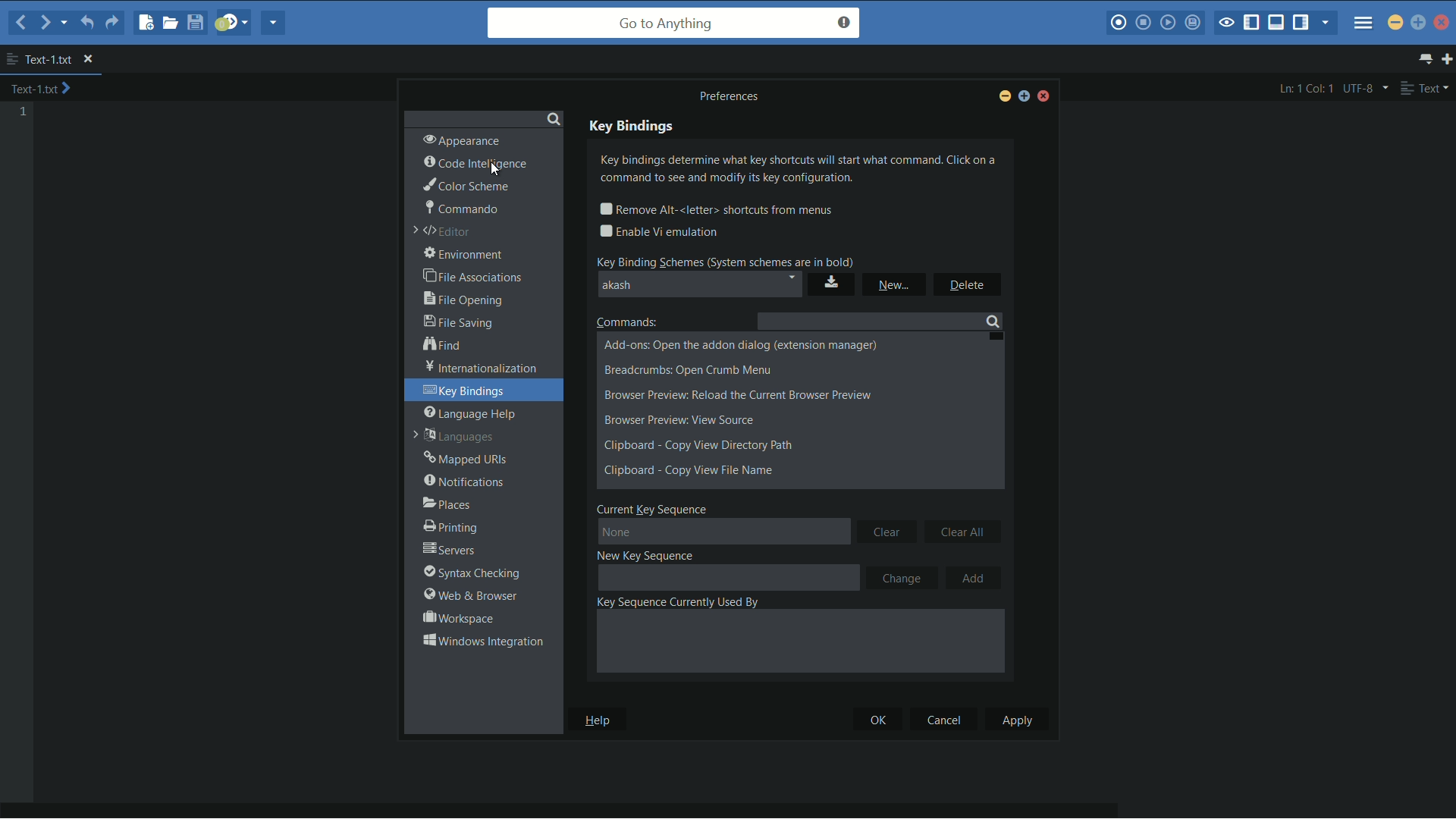  I want to click on Remove Alt-<letter> shortcuts from menus, so click(725, 209).